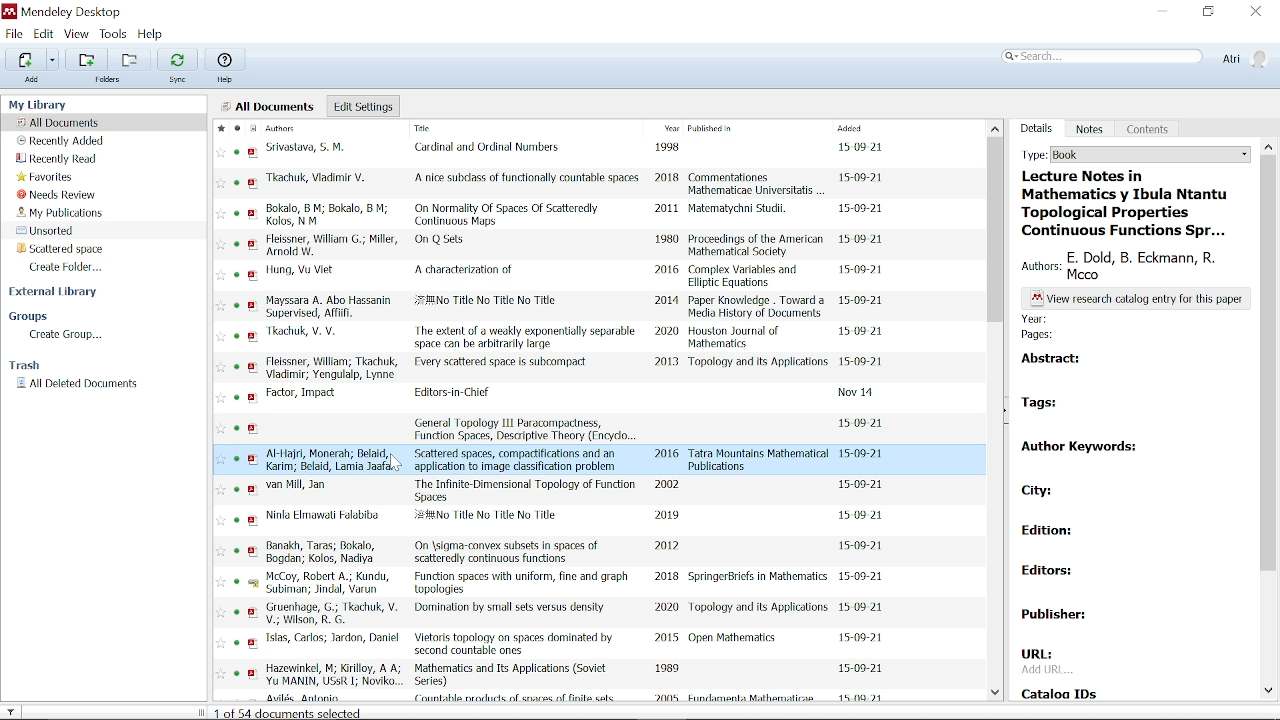 The width and height of the screenshot is (1280, 720). What do you see at coordinates (492, 149) in the screenshot?
I see `title` at bounding box center [492, 149].